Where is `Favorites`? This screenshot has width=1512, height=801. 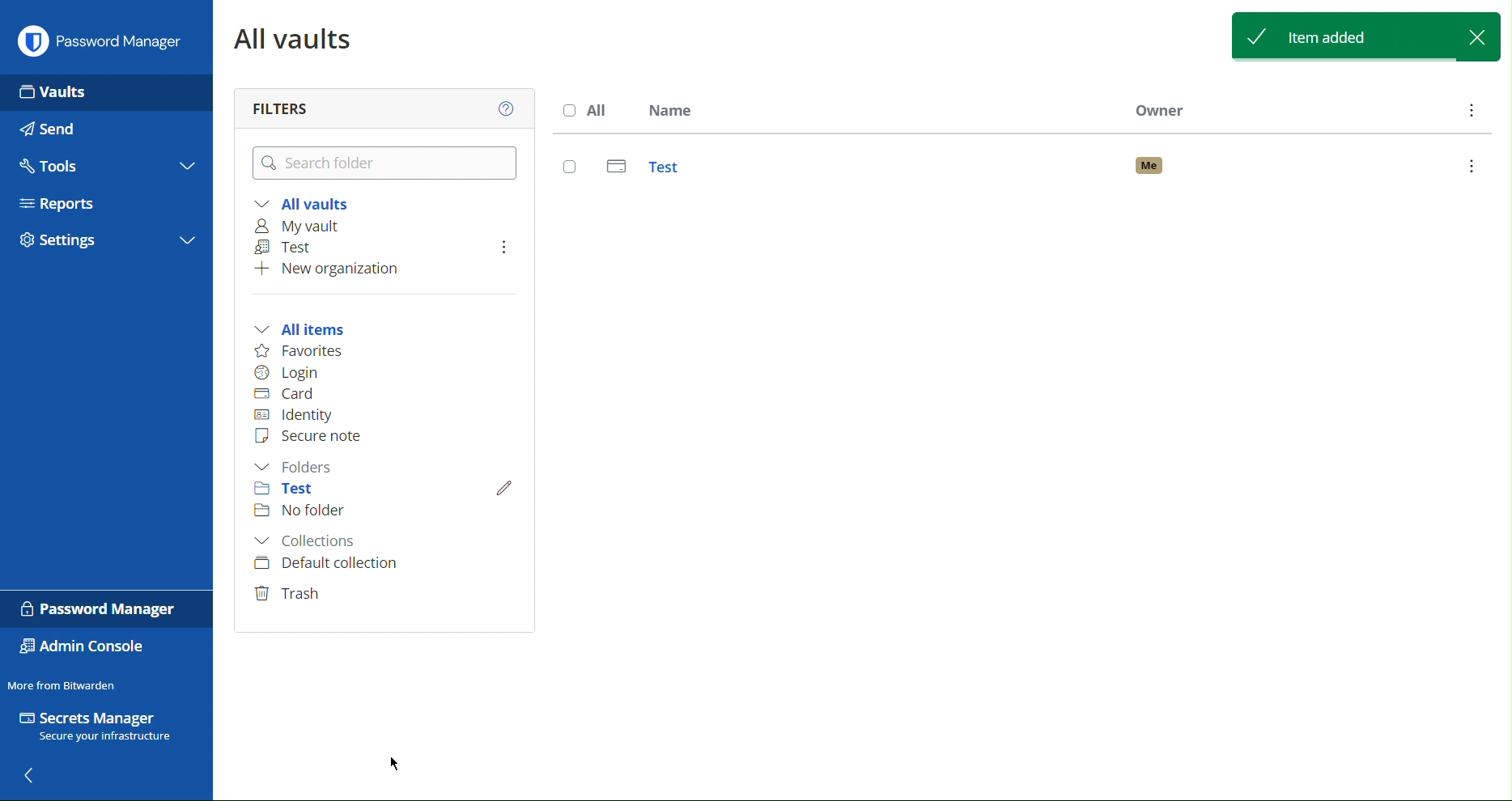
Favorites is located at coordinates (303, 353).